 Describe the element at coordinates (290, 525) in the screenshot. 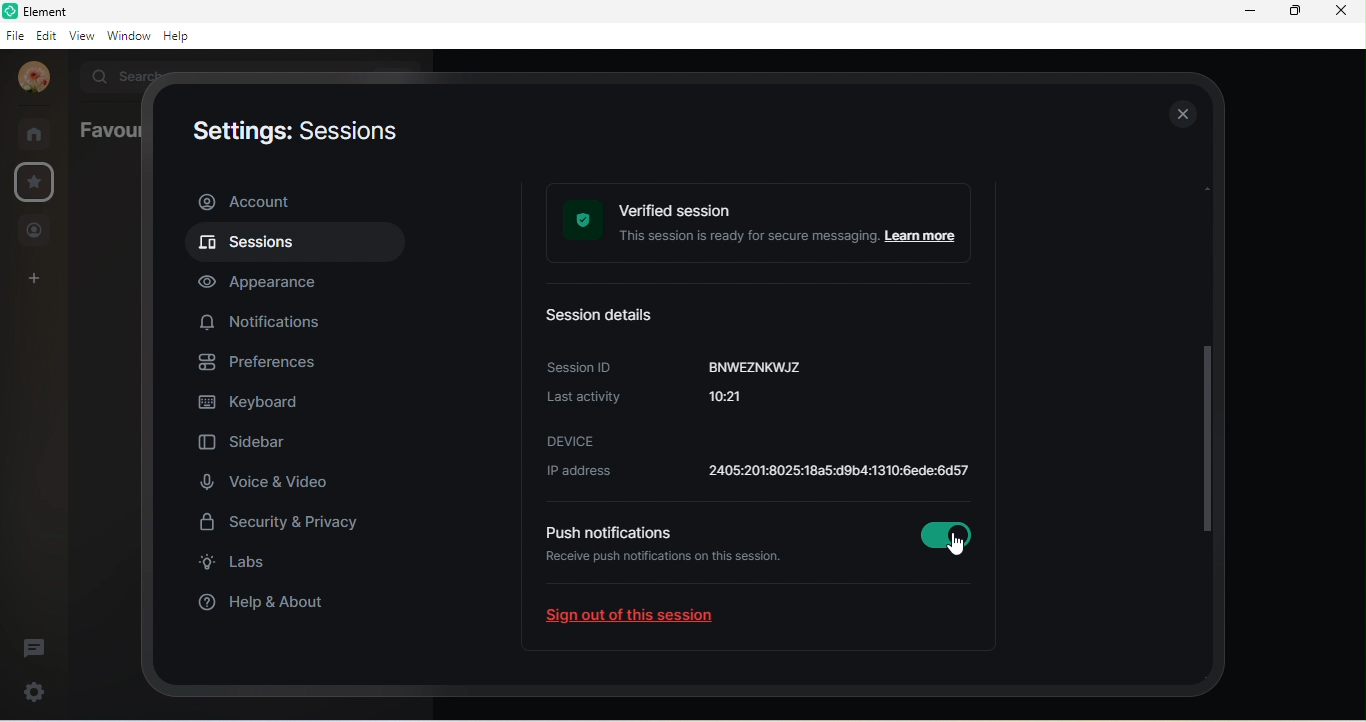

I see `security and privacy` at that location.